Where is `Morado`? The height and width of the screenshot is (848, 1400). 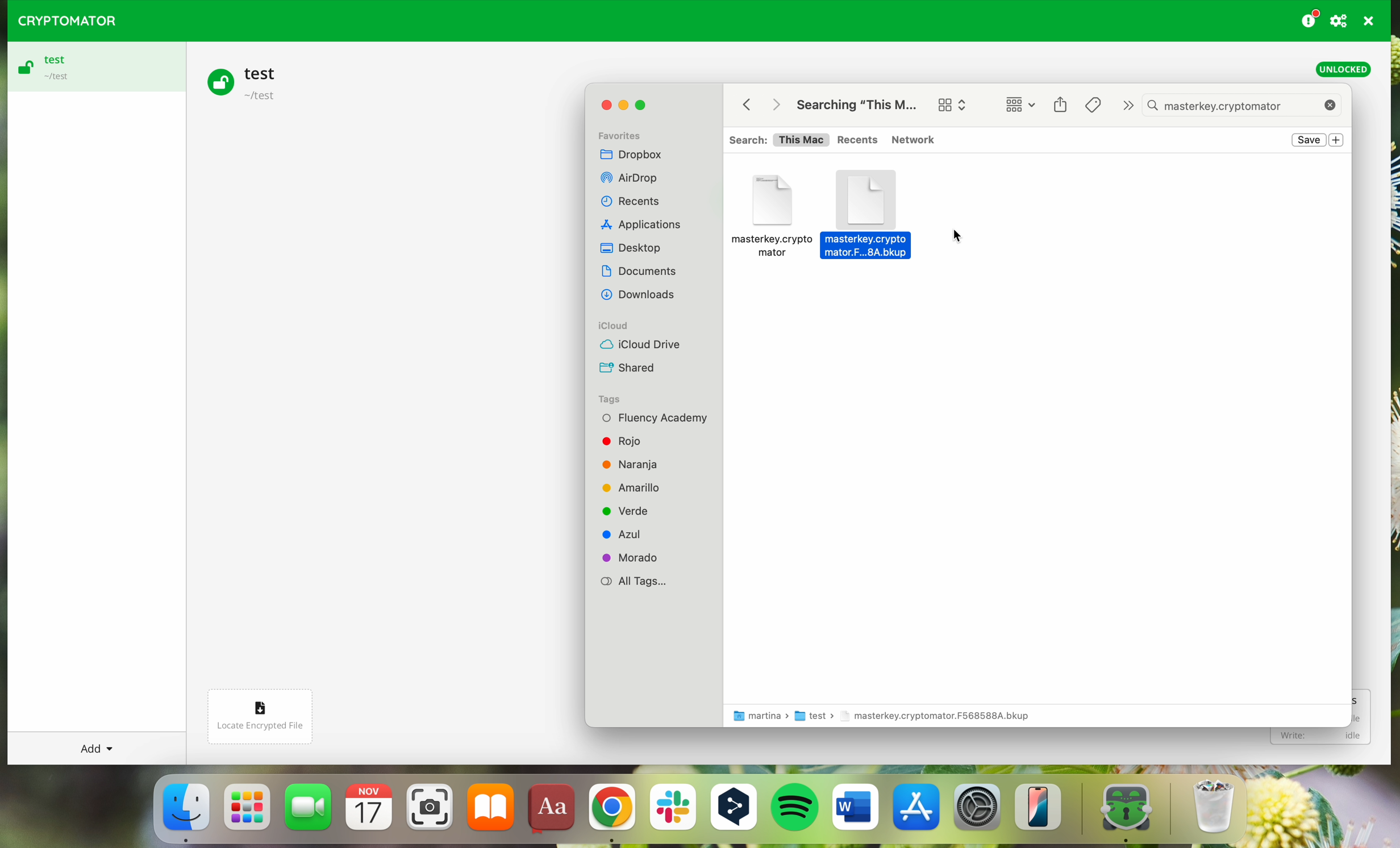
Morado is located at coordinates (635, 557).